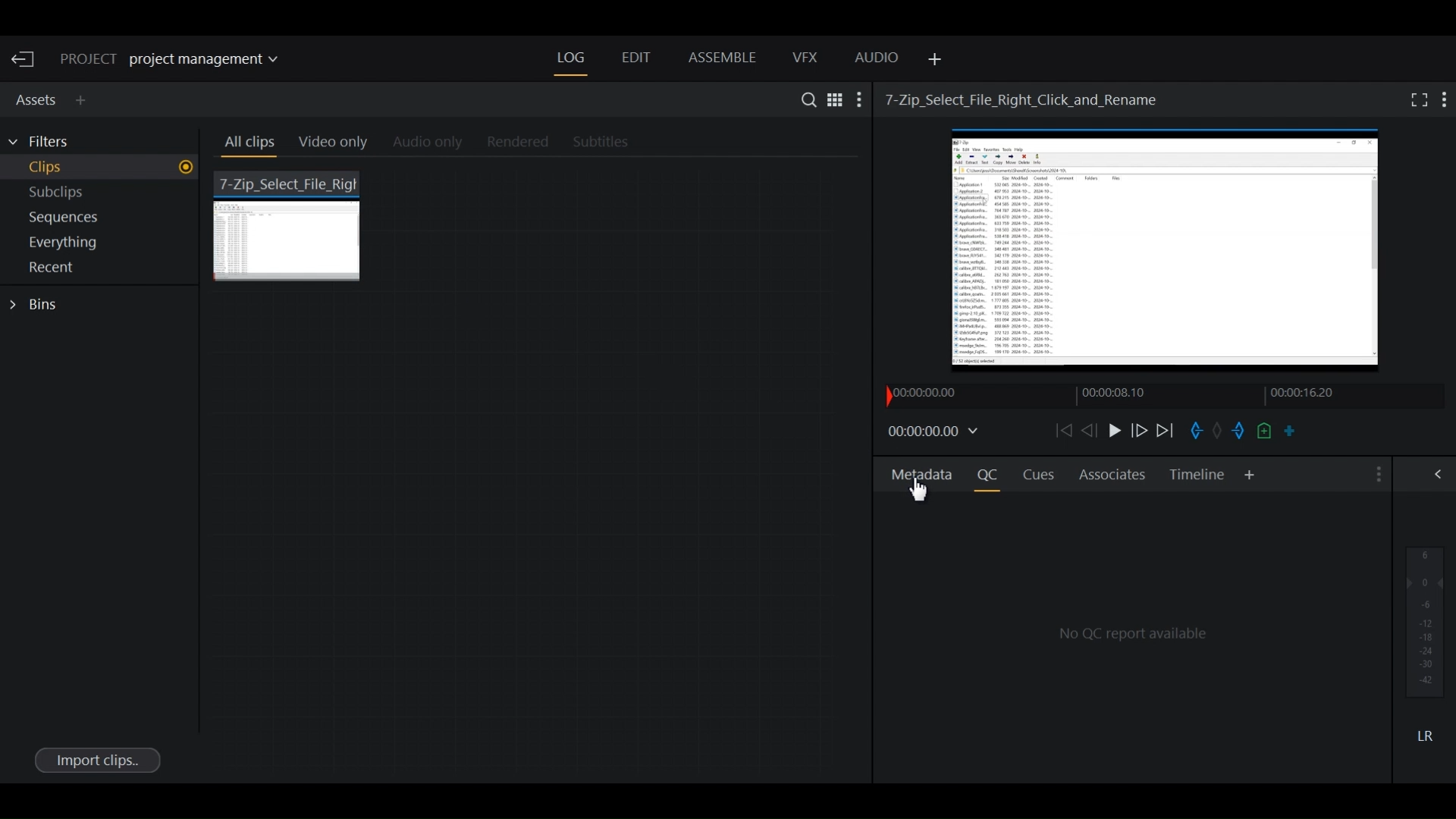 The image size is (1456, 819). Describe the element at coordinates (805, 99) in the screenshot. I see `Search in assets and Bins` at that location.